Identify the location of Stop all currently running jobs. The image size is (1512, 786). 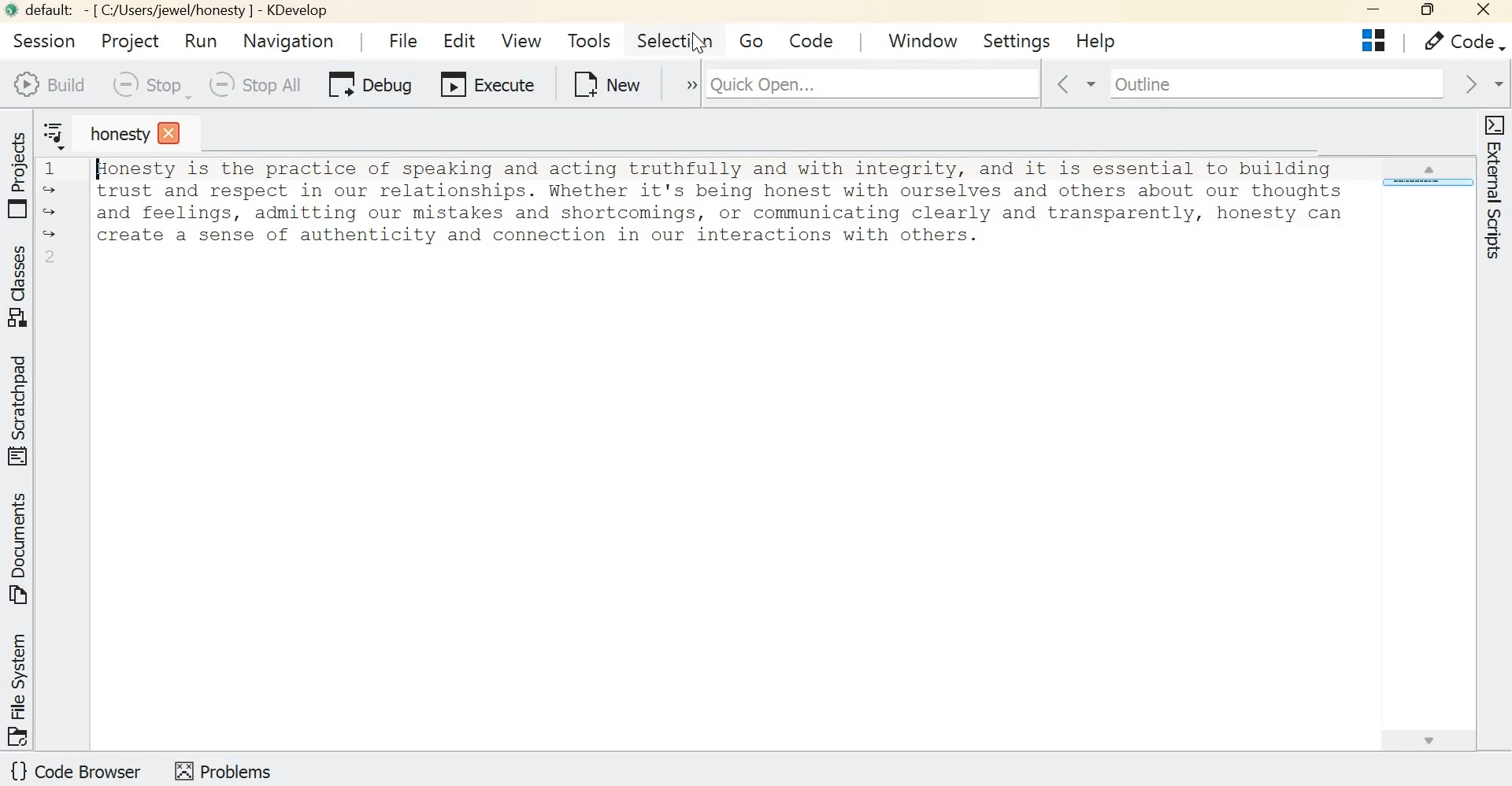
(253, 85).